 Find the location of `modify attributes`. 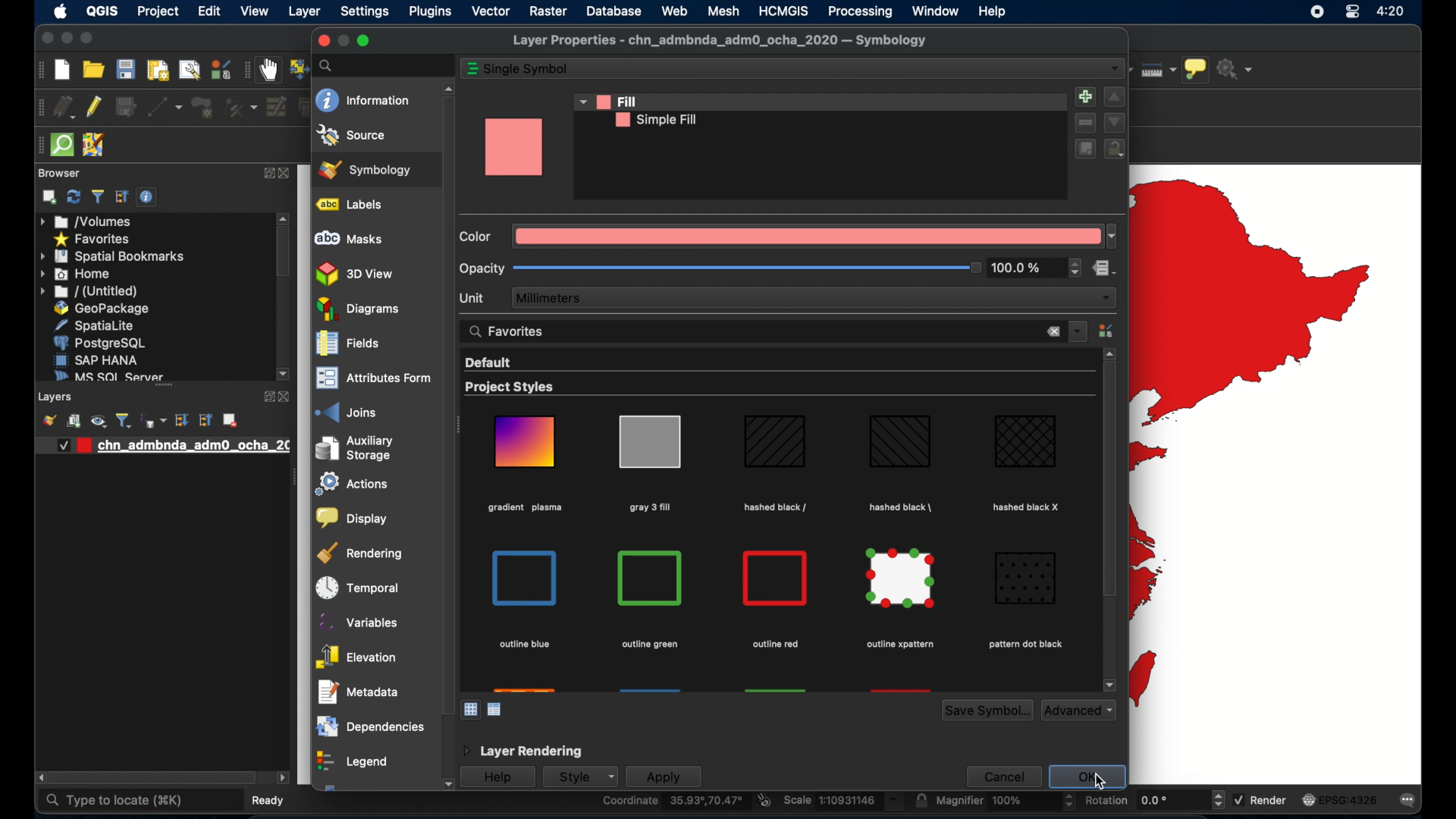

modify attributes is located at coordinates (275, 107).